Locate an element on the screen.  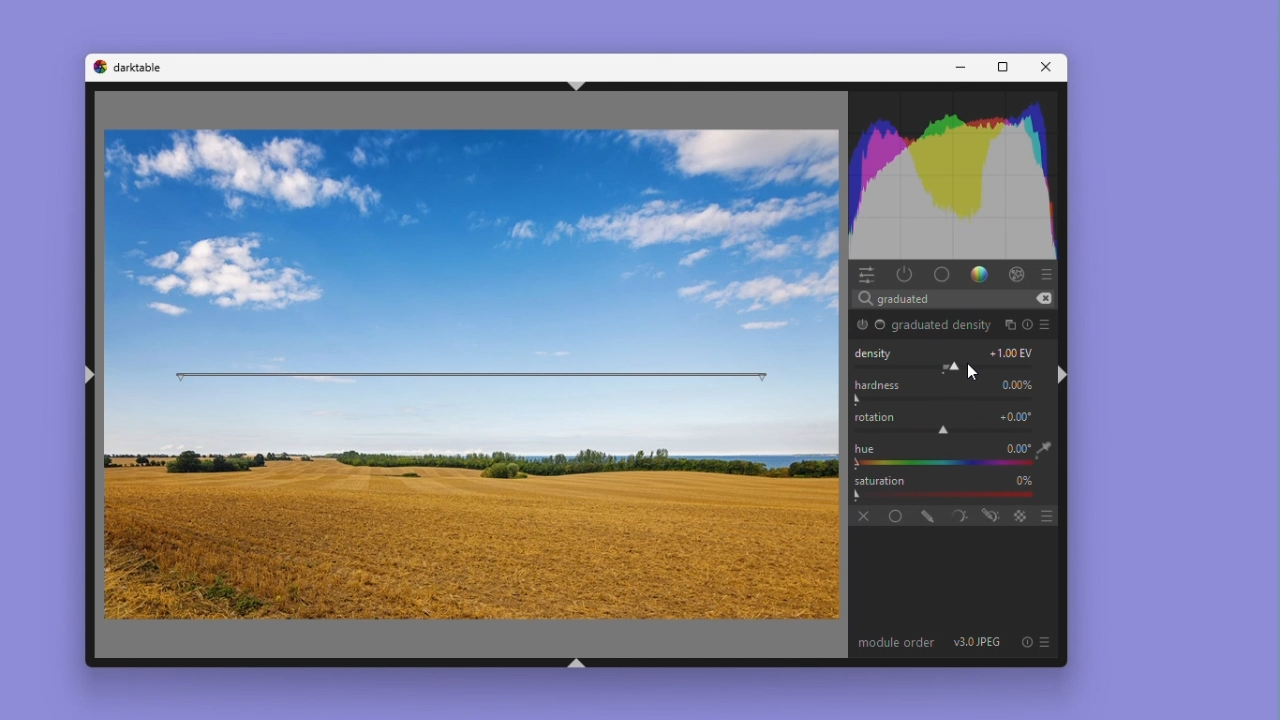
darktable is located at coordinates (143, 67).